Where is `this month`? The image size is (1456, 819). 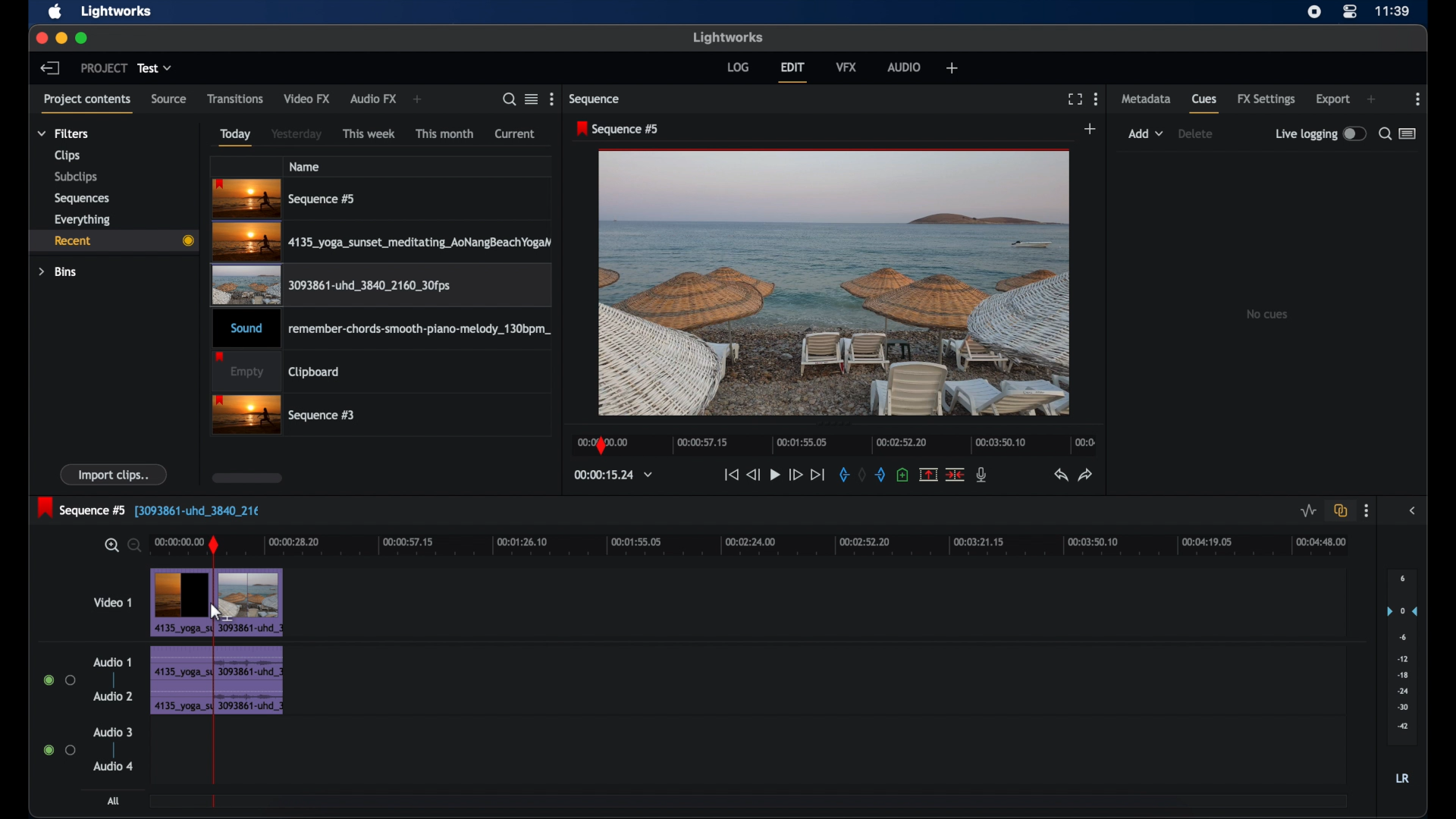 this month is located at coordinates (444, 133).